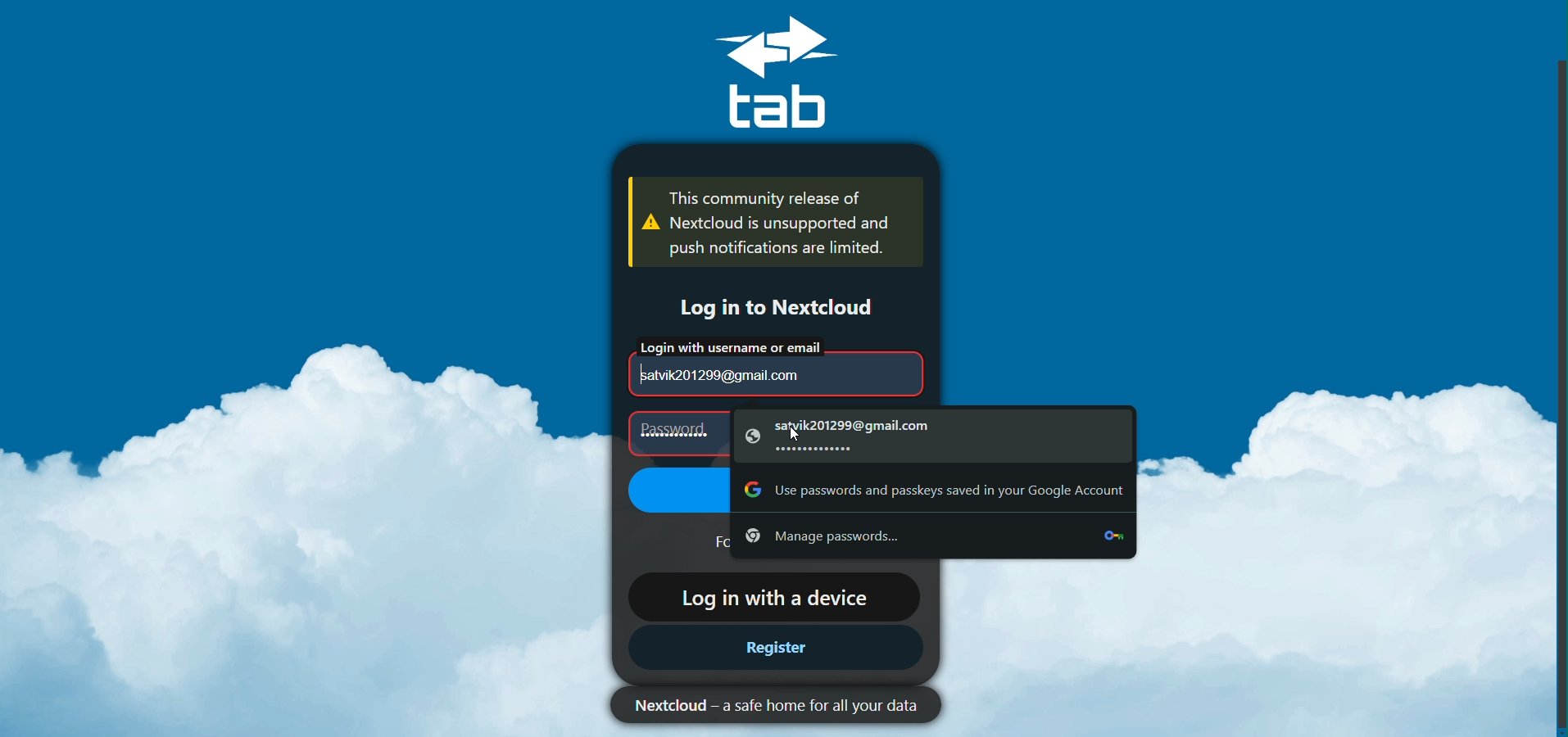  What do you see at coordinates (769, 225) in the screenshot?
I see `This community release of Nextcloud is unsupported and push notifications are limited.(Warning message)` at bounding box center [769, 225].